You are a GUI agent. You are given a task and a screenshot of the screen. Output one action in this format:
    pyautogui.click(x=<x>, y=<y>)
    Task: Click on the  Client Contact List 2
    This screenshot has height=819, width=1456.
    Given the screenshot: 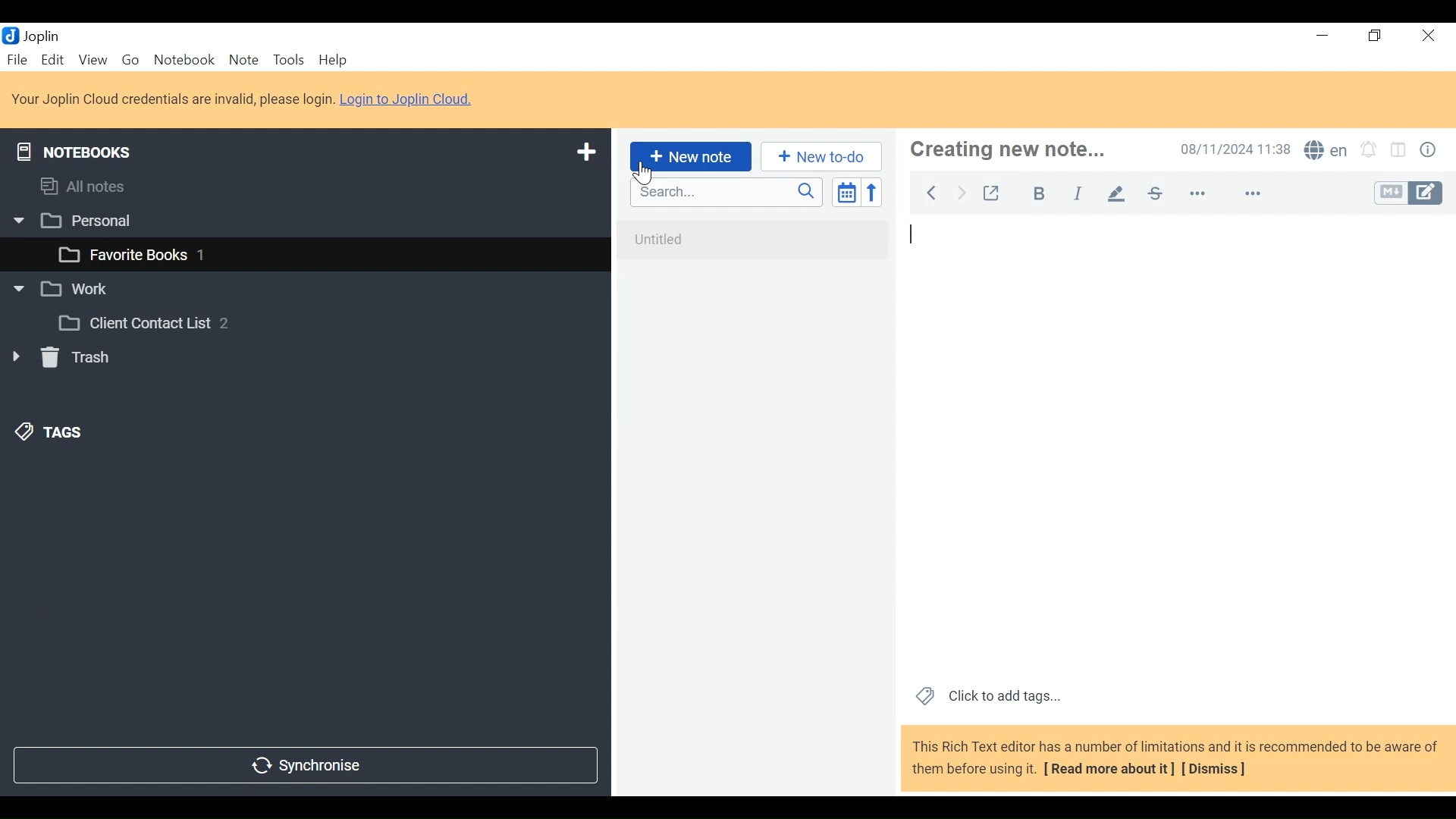 What is the action you would take?
    pyautogui.click(x=141, y=323)
    